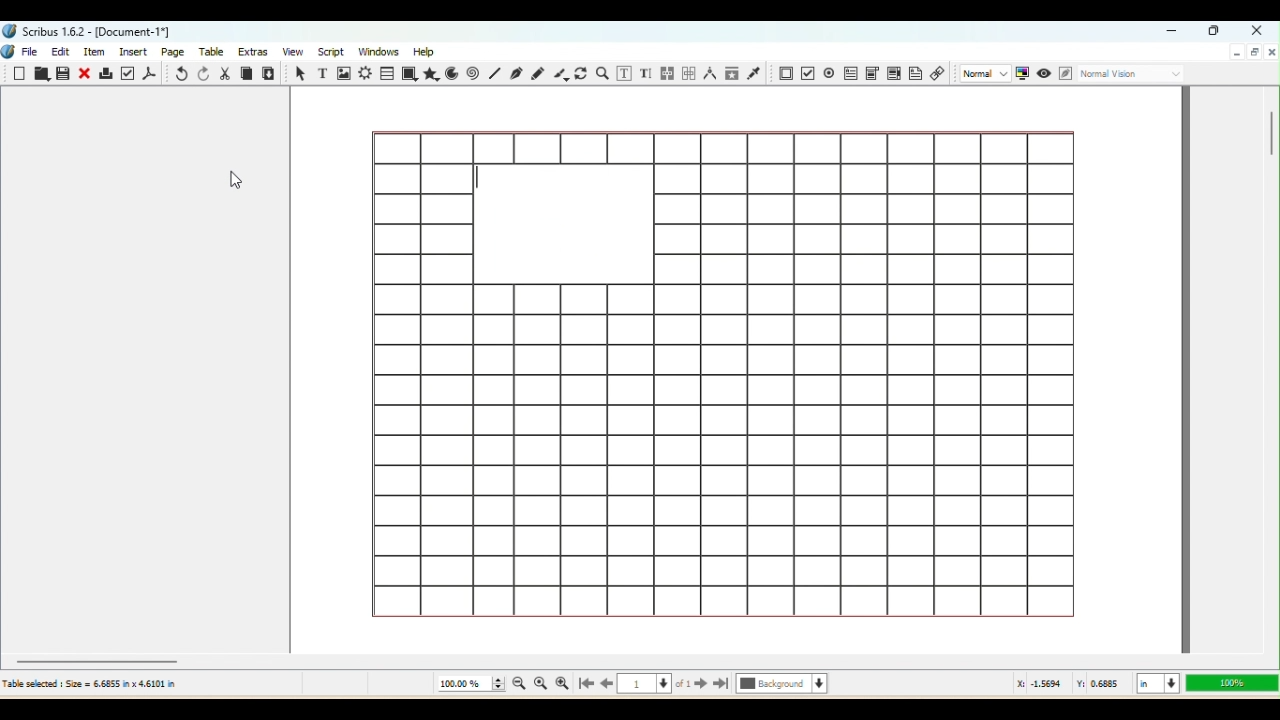 The image size is (1280, 720). What do you see at coordinates (298, 73) in the screenshot?
I see `Select item` at bounding box center [298, 73].